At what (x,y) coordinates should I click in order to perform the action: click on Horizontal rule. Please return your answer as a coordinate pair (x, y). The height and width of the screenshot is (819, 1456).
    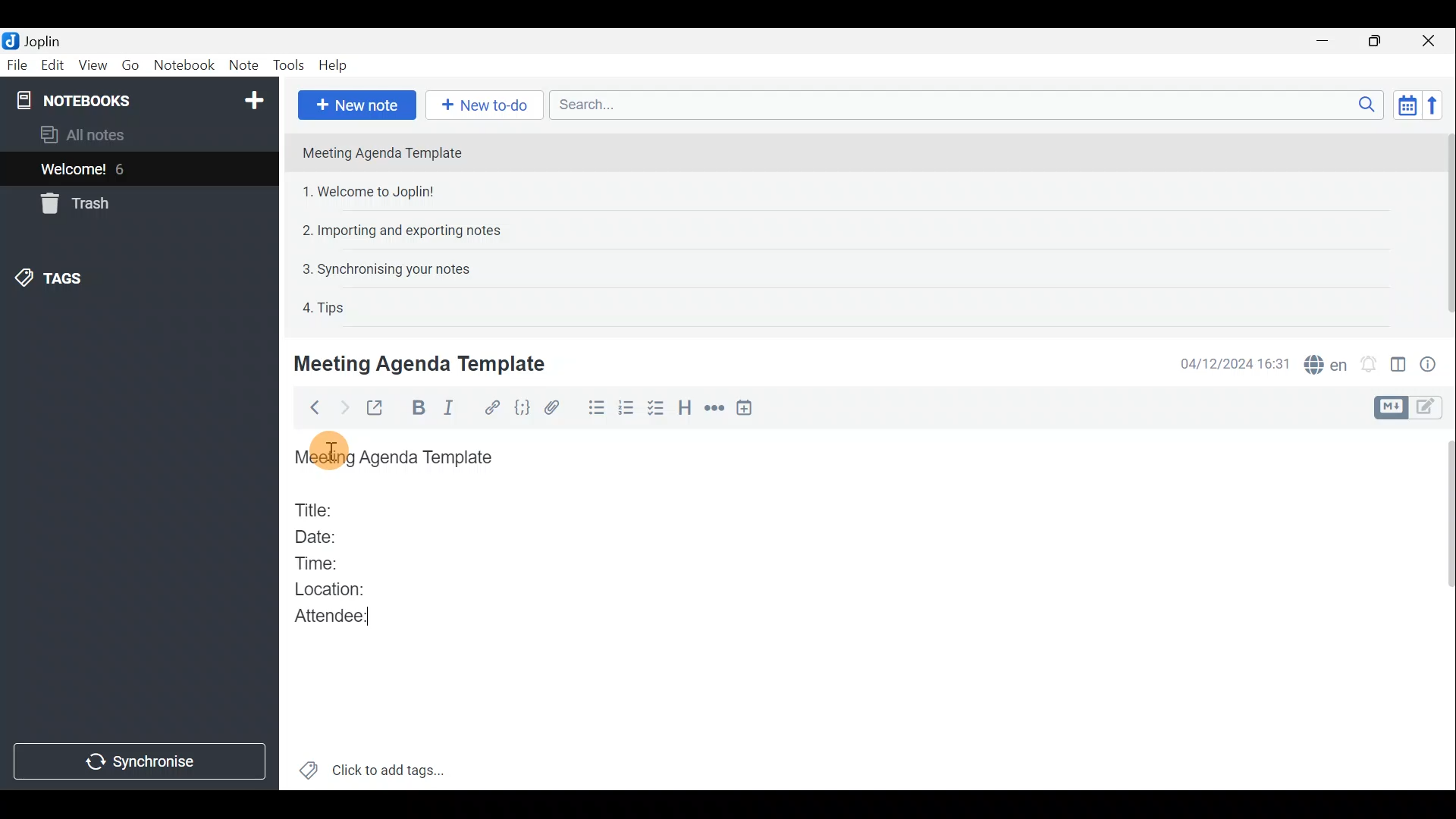
    Looking at the image, I should click on (715, 410).